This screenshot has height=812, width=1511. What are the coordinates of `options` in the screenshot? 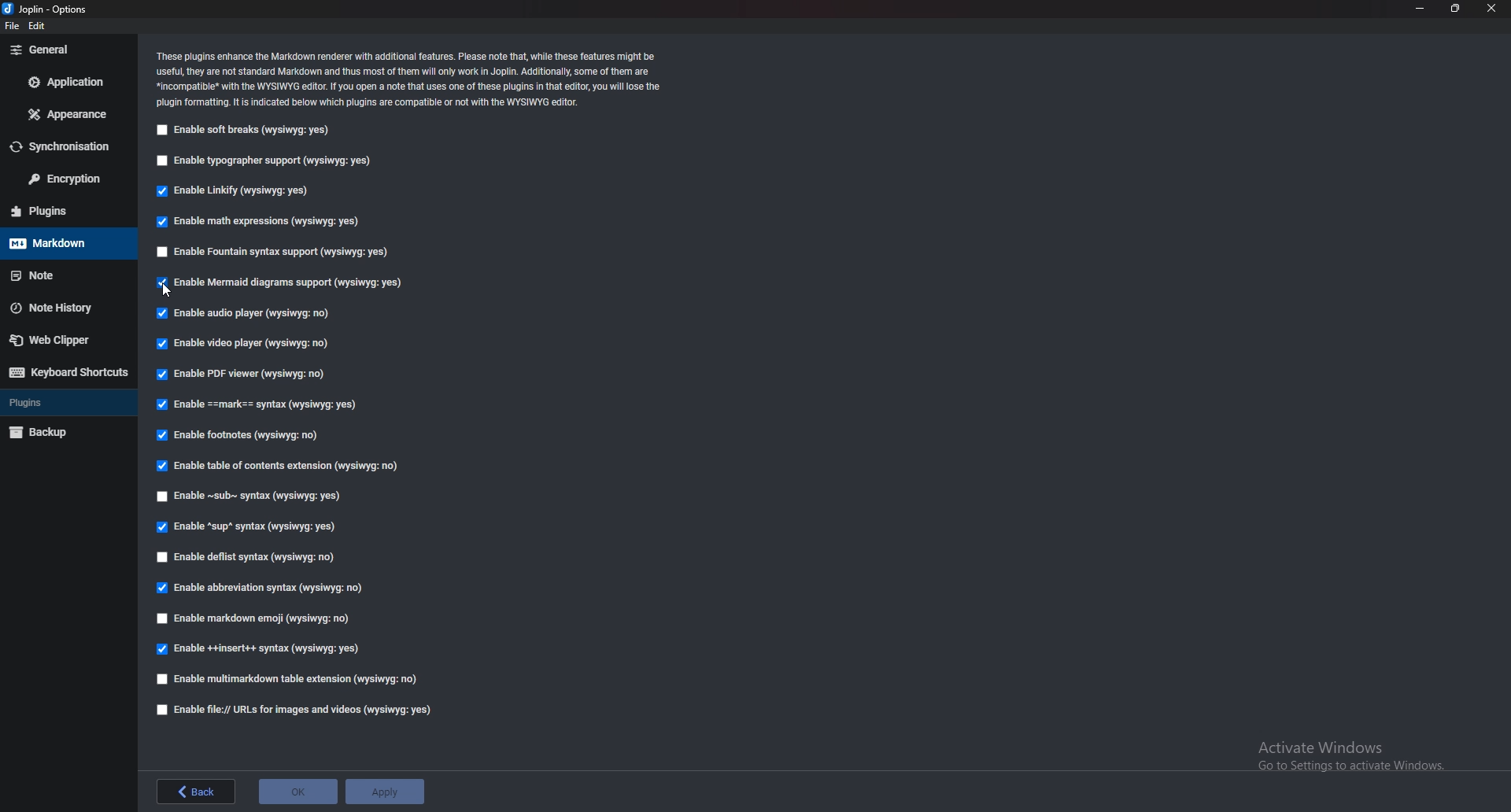 It's located at (46, 7).